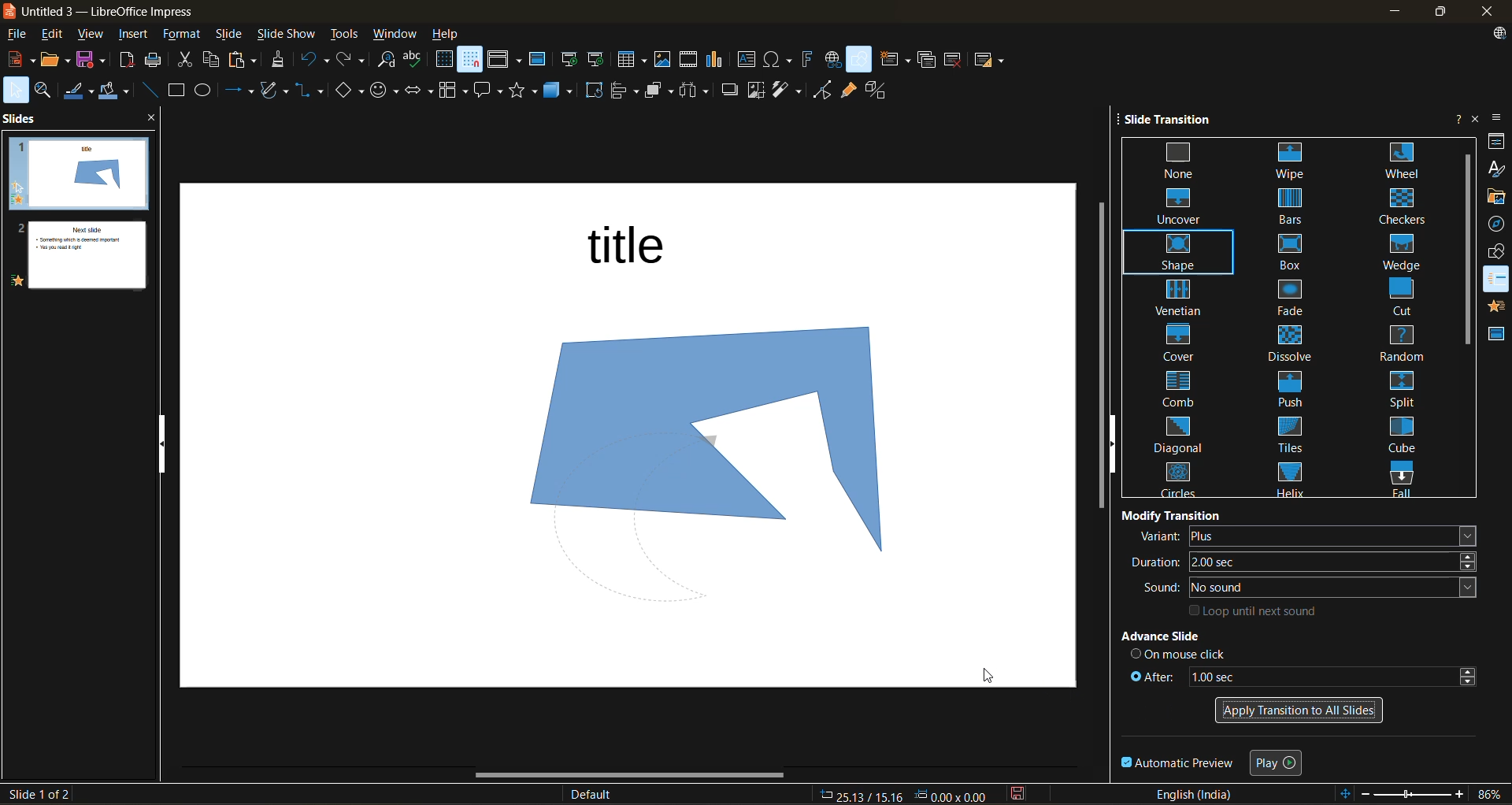 This screenshot has height=805, width=1512. I want to click on new slide, so click(898, 60).